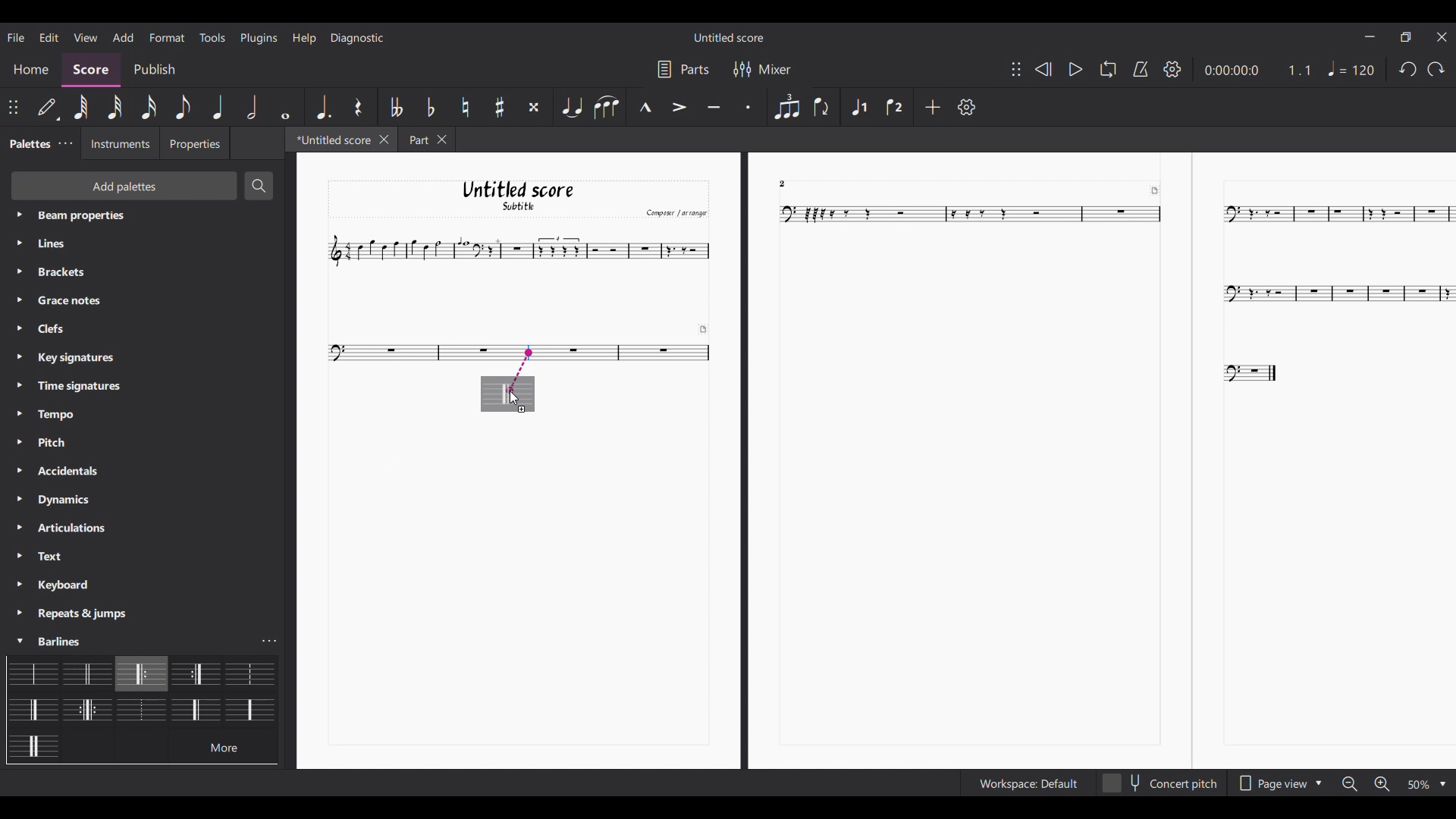 The width and height of the screenshot is (1456, 819). I want to click on Barline options, so click(195, 672).